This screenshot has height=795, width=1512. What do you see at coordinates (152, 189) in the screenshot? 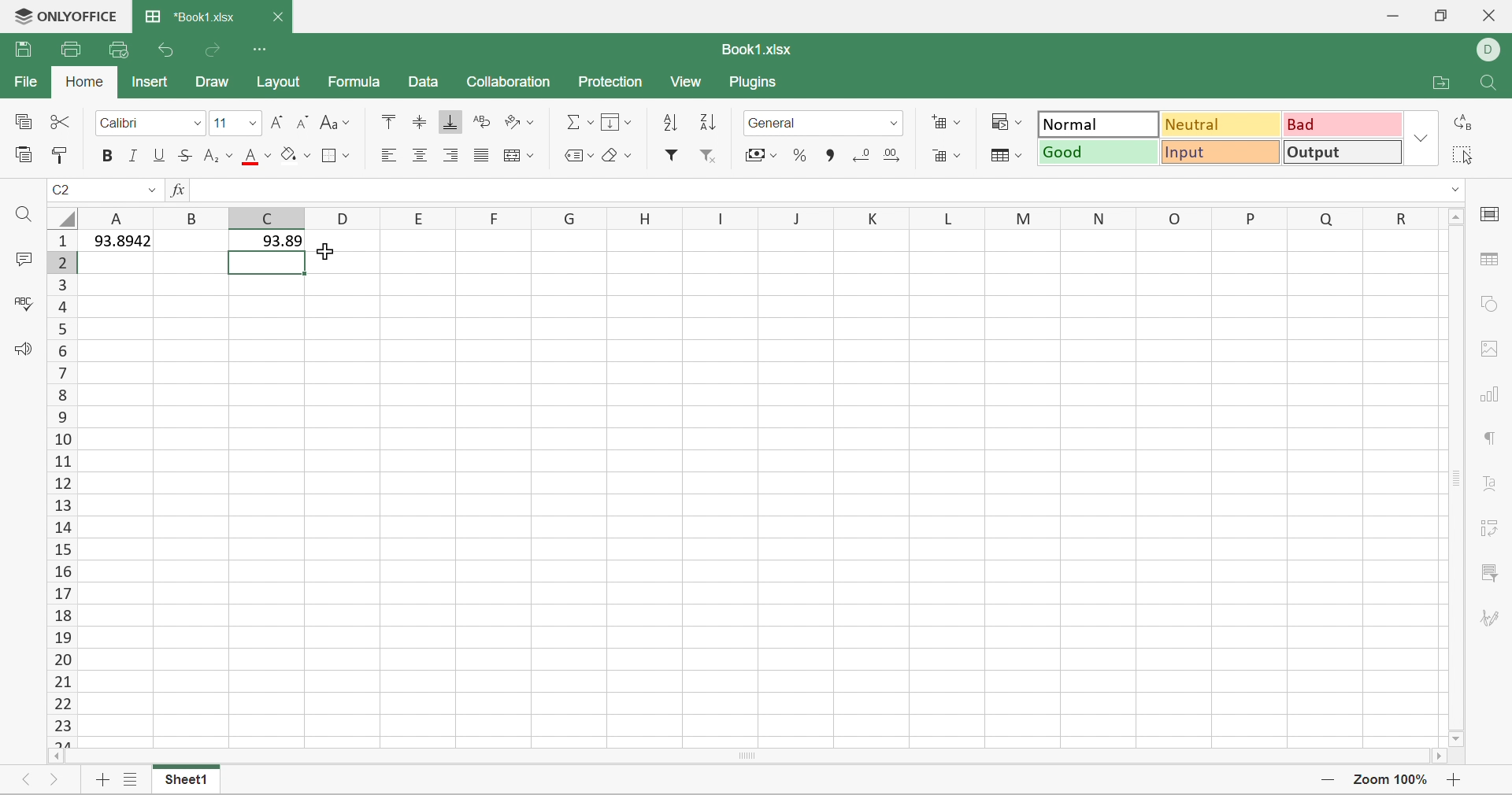
I see `Drop Down` at bounding box center [152, 189].